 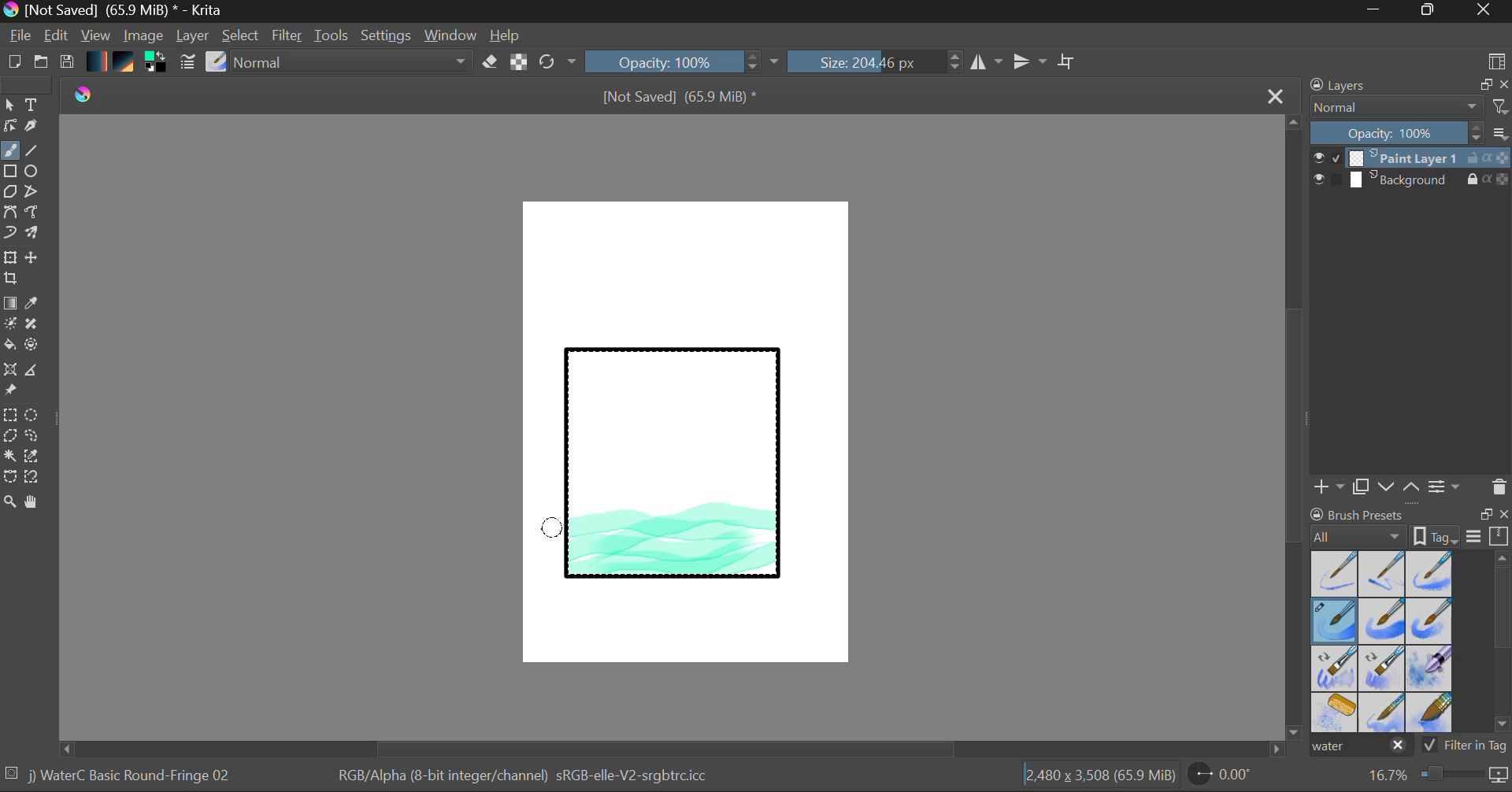 What do you see at coordinates (9, 347) in the screenshot?
I see `Fill` at bounding box center [9, 347].